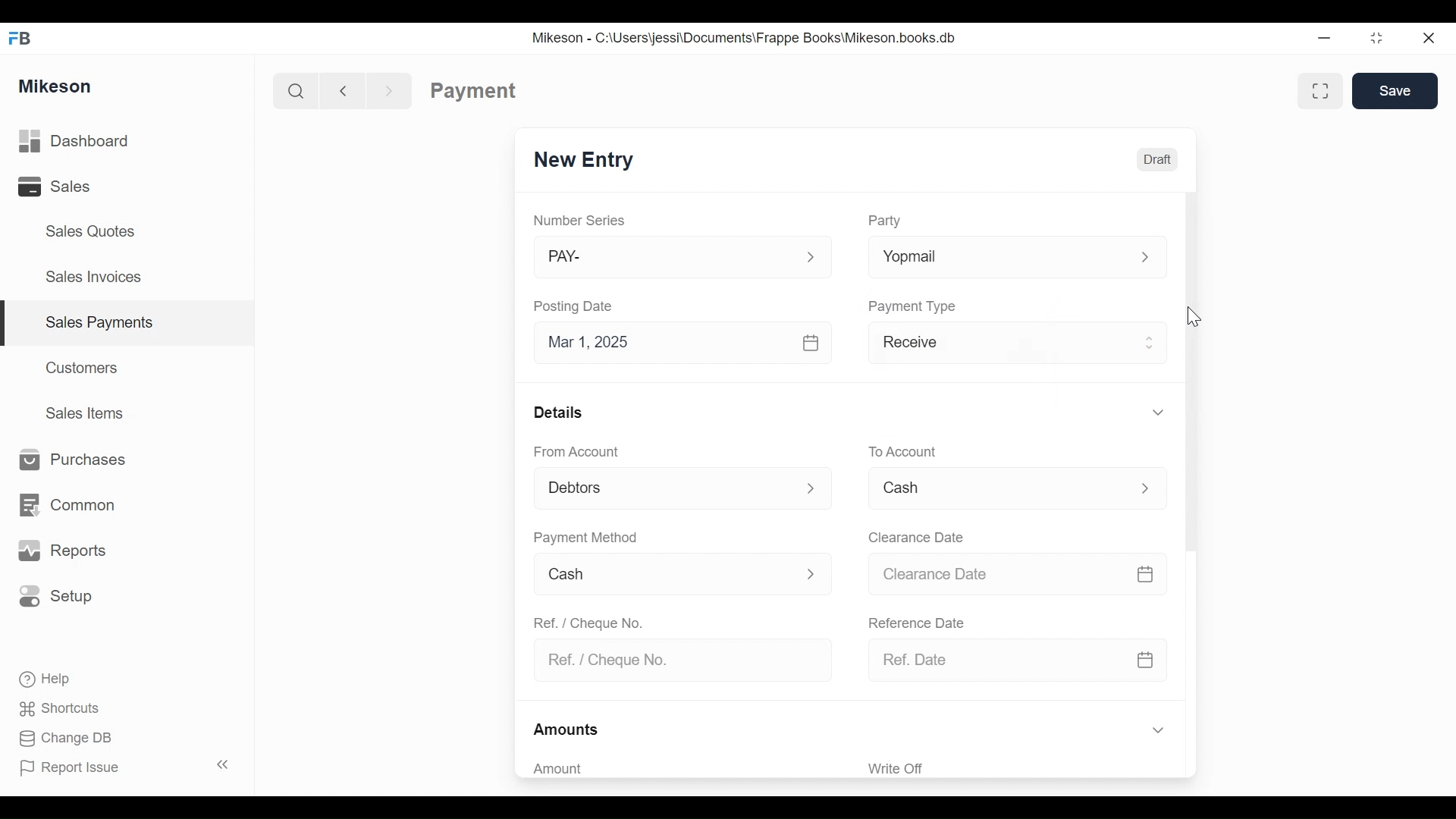 The width and height of the screenshot is (1456, 819). What do you see at coordinates (1324, 40) in the screenshot?
I see `Minimize` at bounding box center [1324, 40].